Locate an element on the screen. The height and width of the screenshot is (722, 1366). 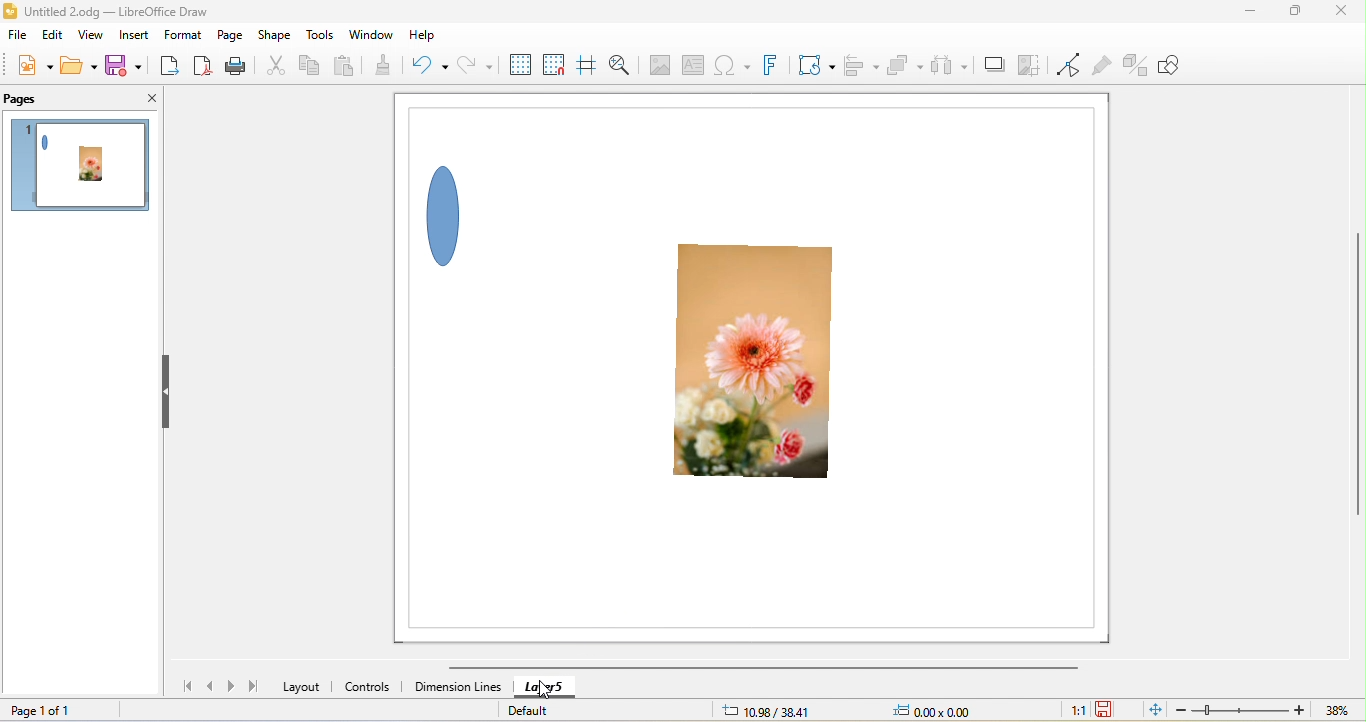
export direct as pdf is located at coordinates (207, 67).